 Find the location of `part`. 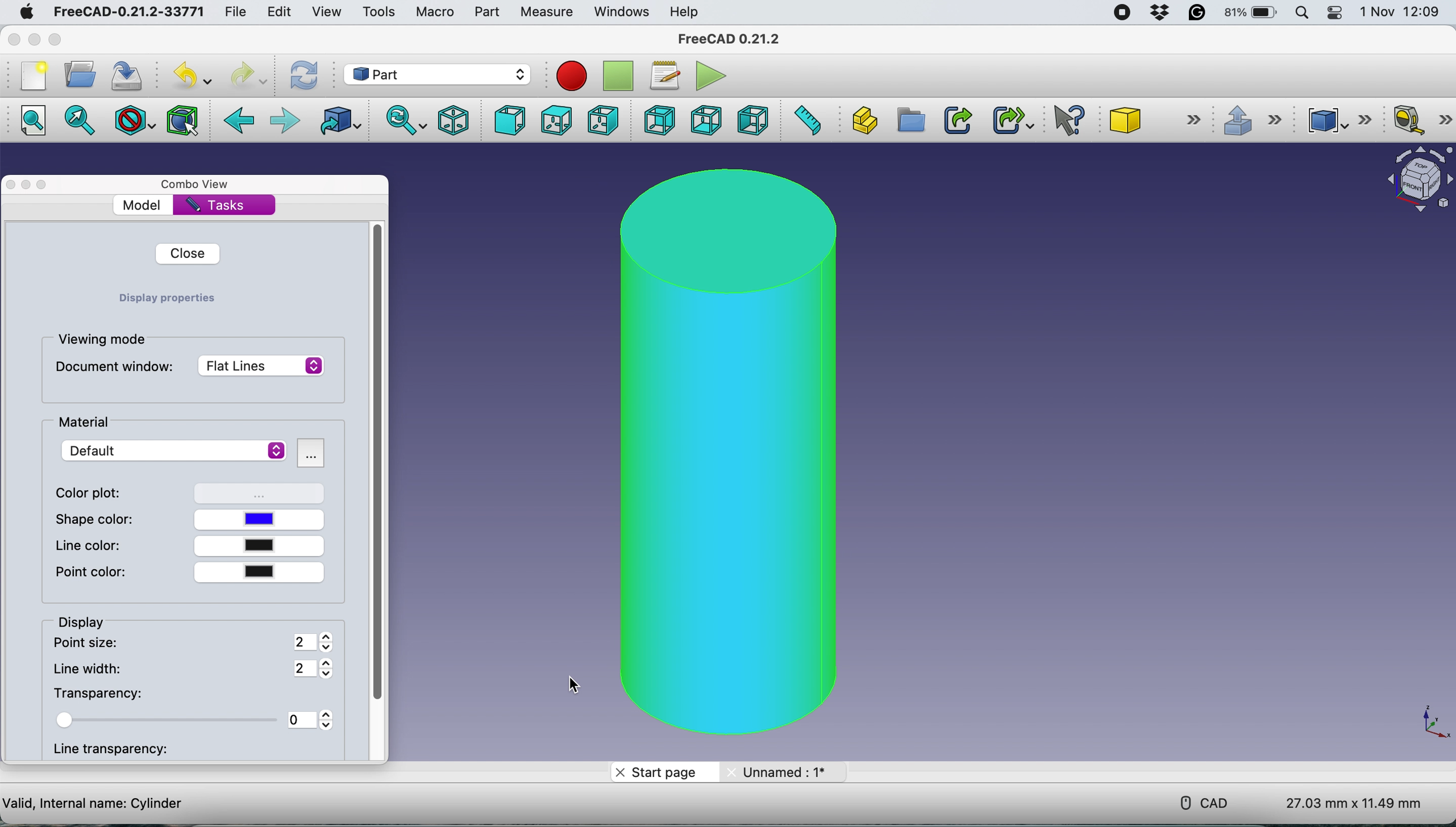

part is located at coordinates (489, 14).